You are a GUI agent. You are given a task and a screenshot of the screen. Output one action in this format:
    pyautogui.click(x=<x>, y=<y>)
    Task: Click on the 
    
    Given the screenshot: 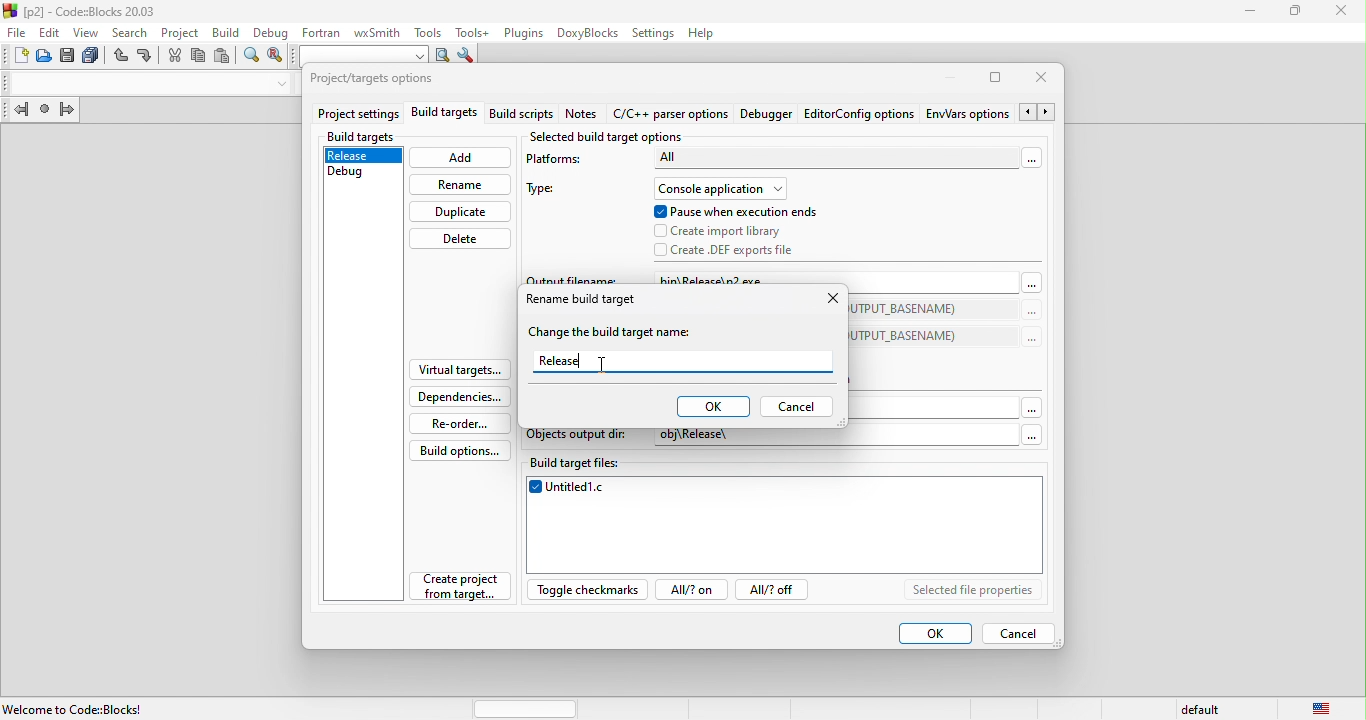 What is the action you would take?
    pyautogui.click(x=1026, y=434)
    